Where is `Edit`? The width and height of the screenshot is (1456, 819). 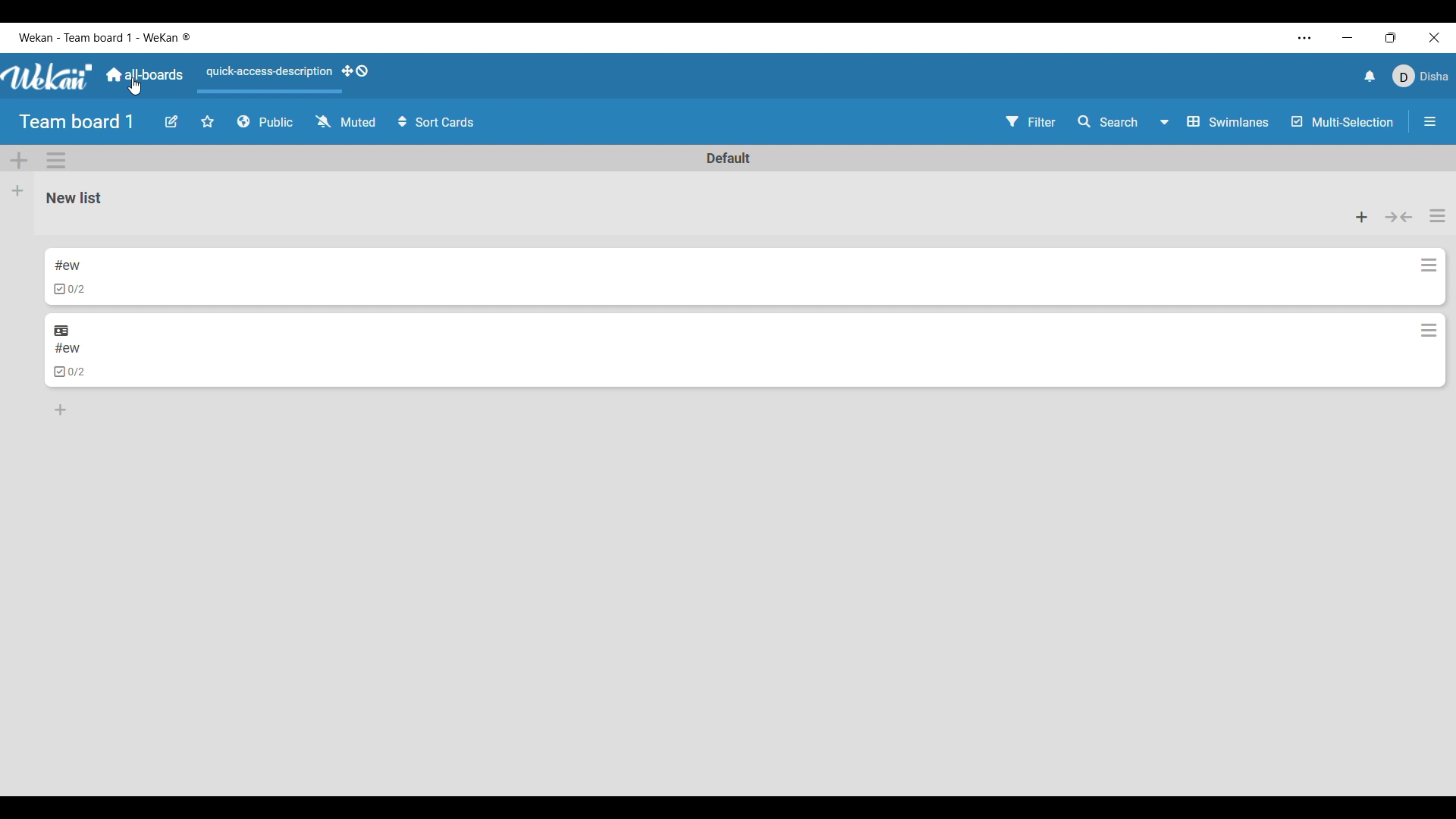 Edit is located at coordinates (172, 121).